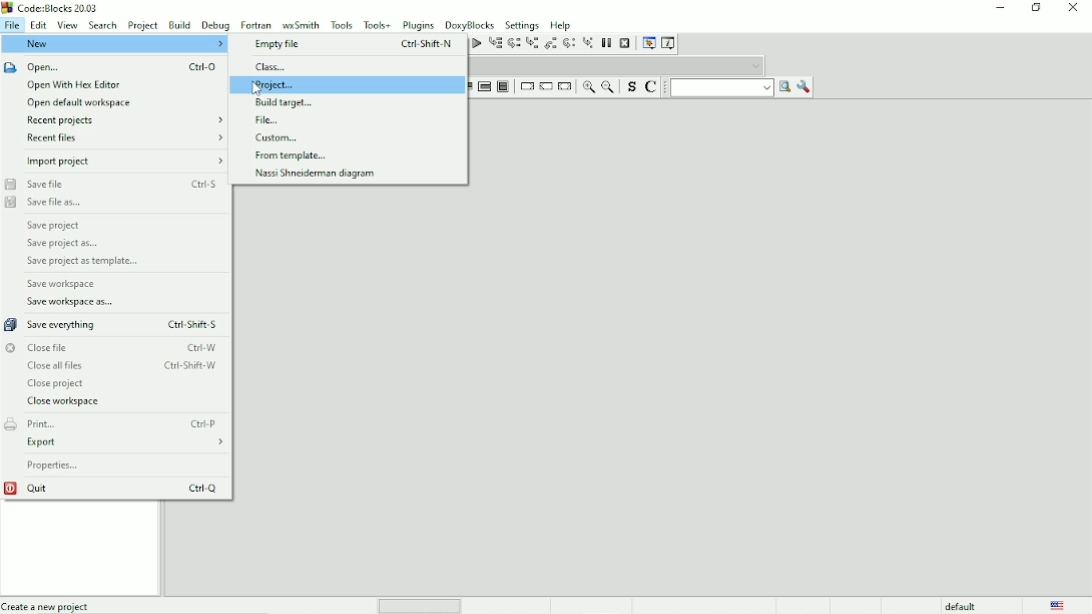  Describe the element at coordinates (293, 156) in the screenshot. I see `From template` at that location.